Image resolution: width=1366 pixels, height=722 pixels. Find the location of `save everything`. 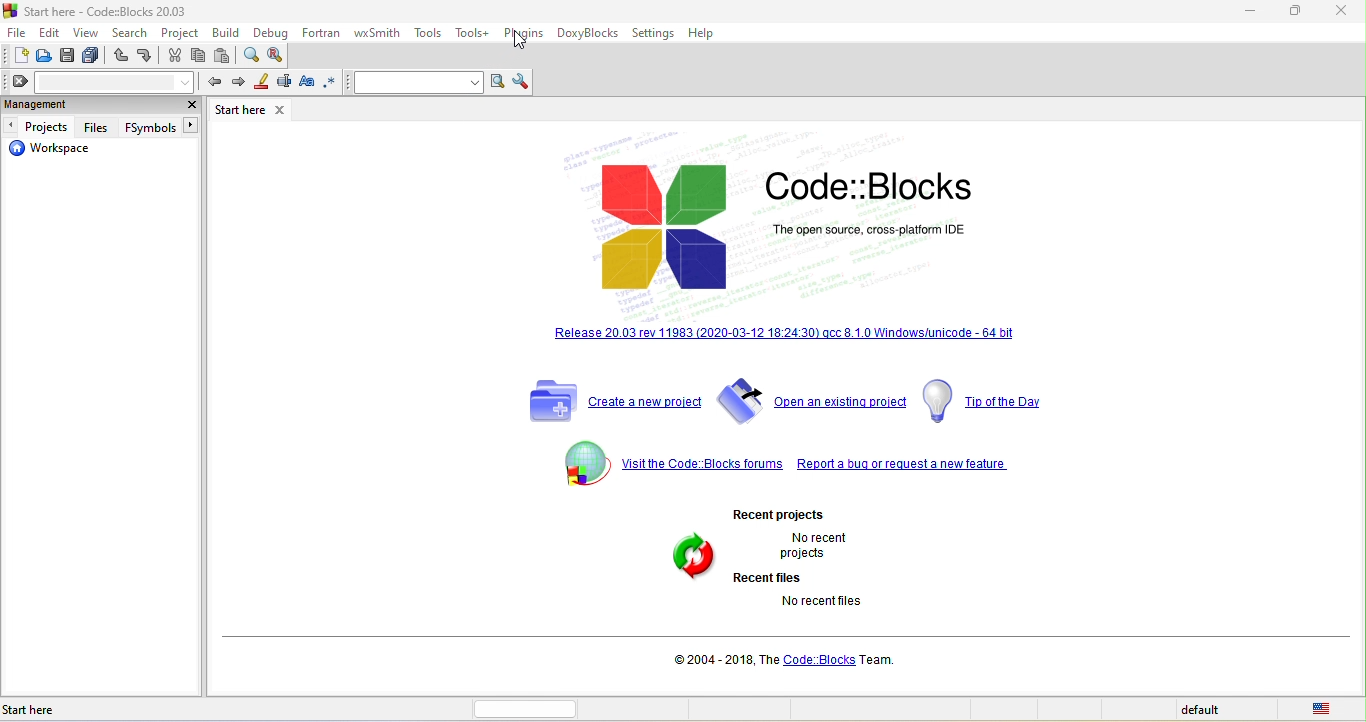

save everything is located at coordinates (93, 57).